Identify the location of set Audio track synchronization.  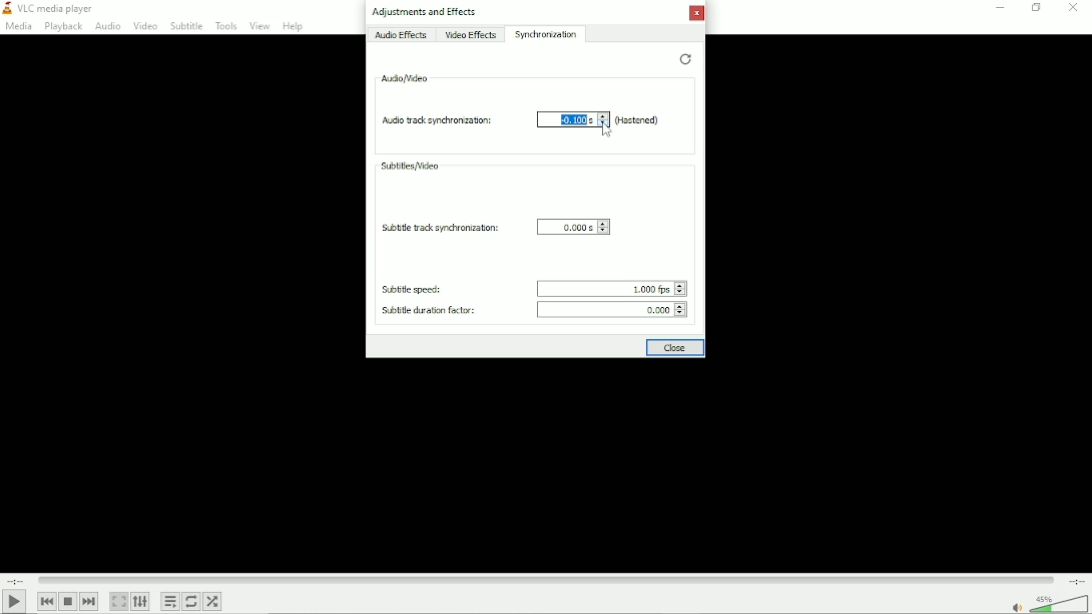
(565, 119).